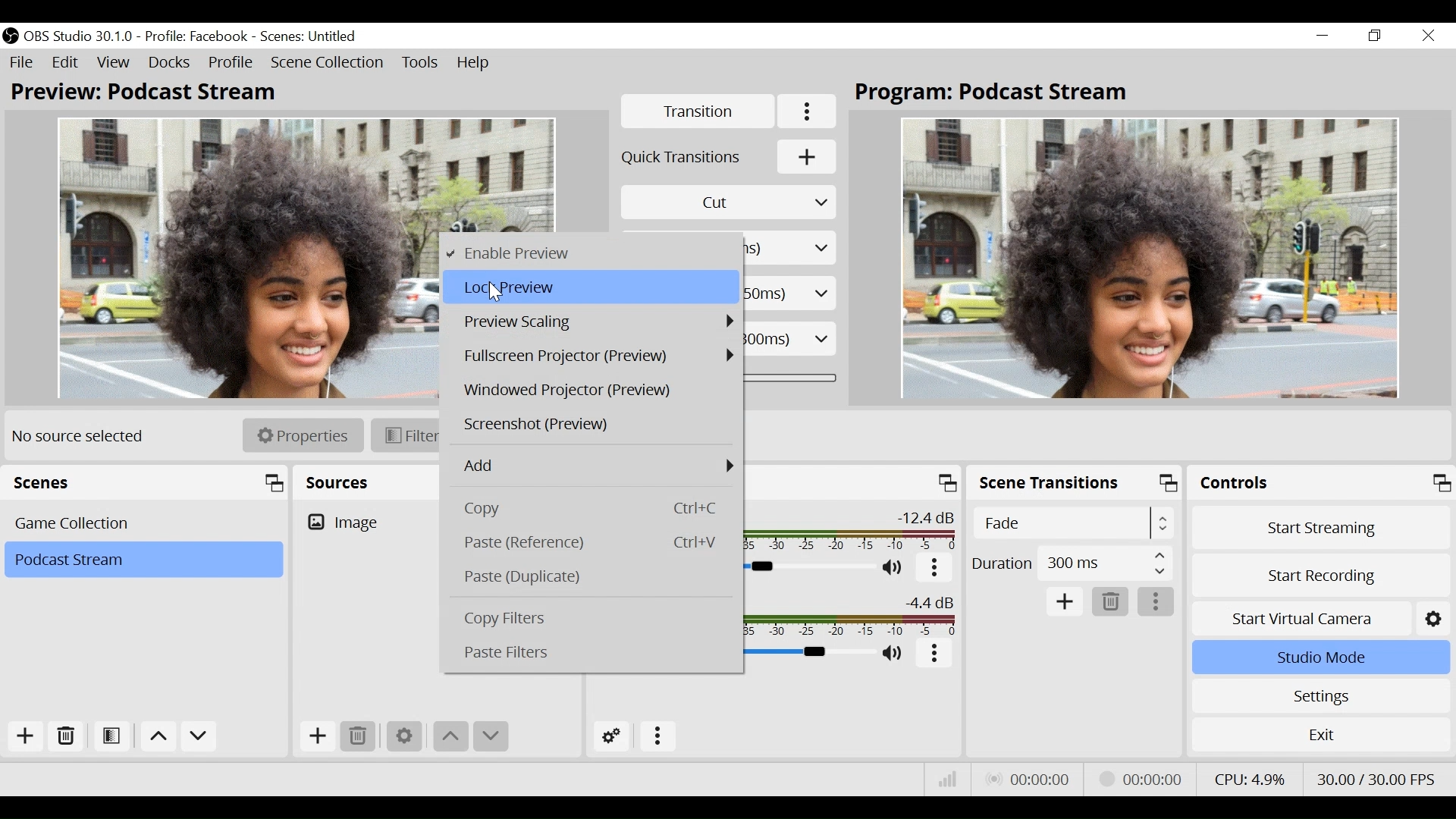 This screenshot has width=1456, height=819. Describe the element at coordinates (489, 736) in the screenshot. I see `move down ` at that location.